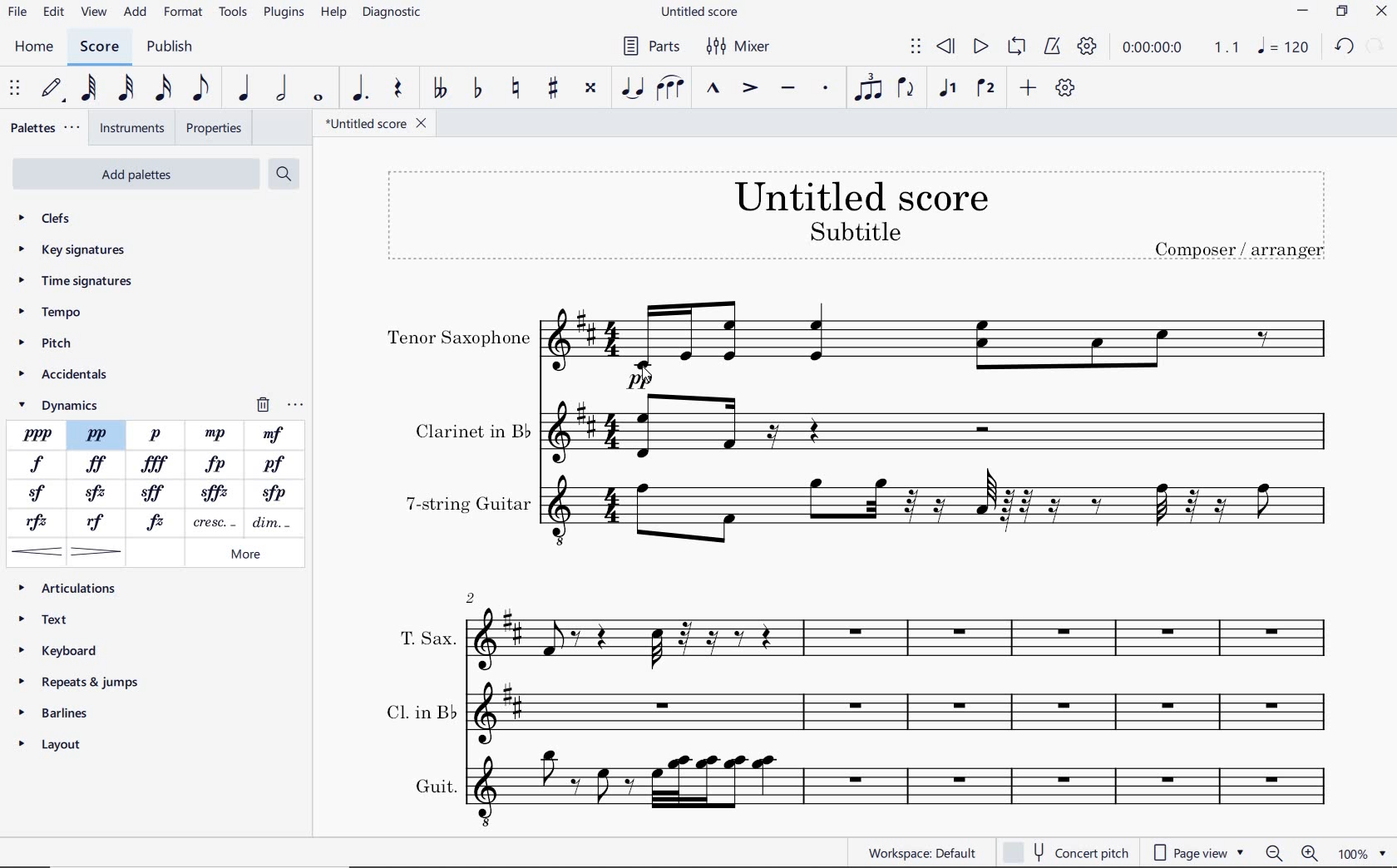 The height and width of the screenshot is (868, 1397). Describe the element at coordinates (215, 492) in the screenshot. I see `SFFZ (SFORZATO)` at that location.